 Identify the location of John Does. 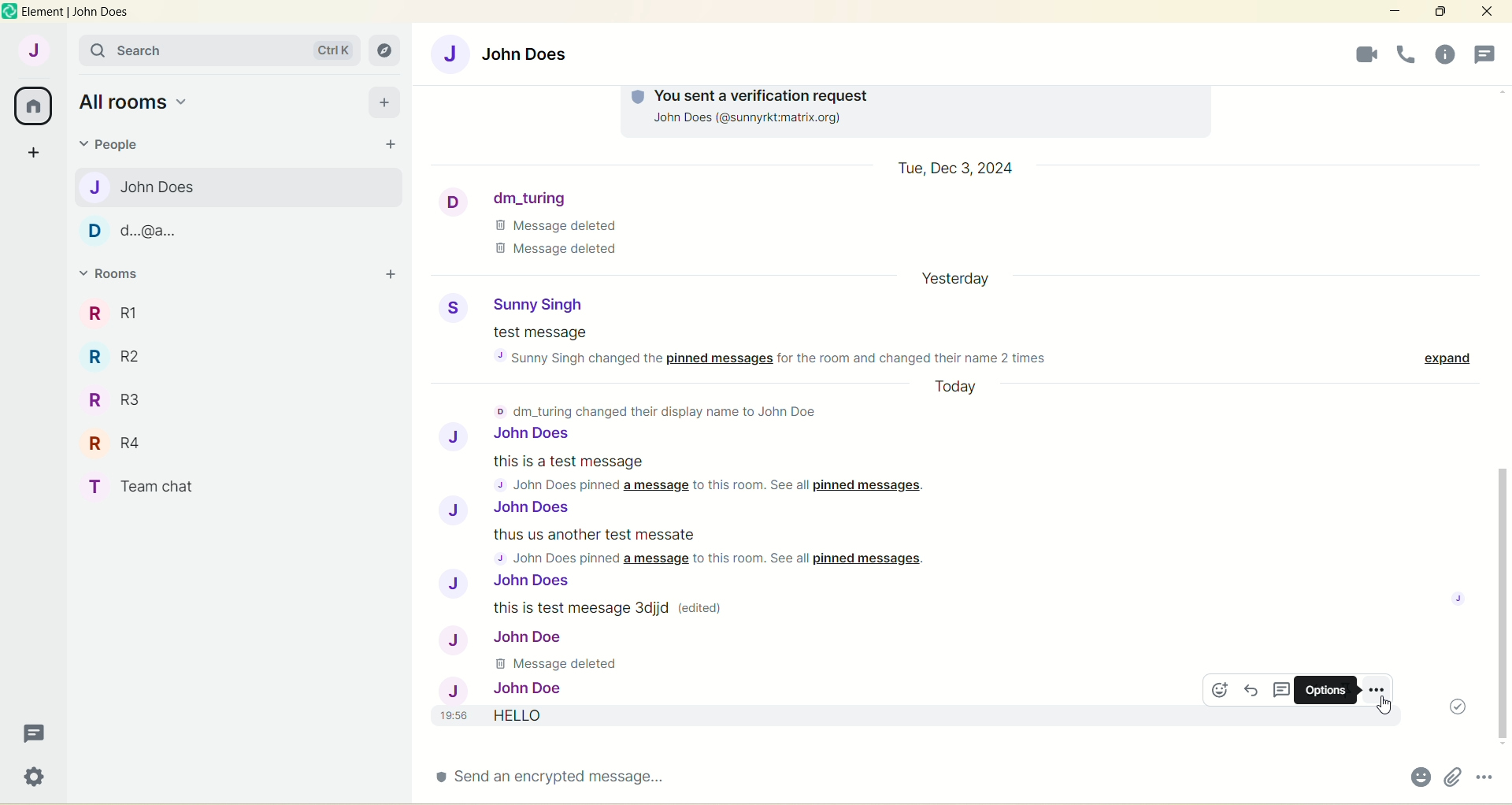
(512, 52).